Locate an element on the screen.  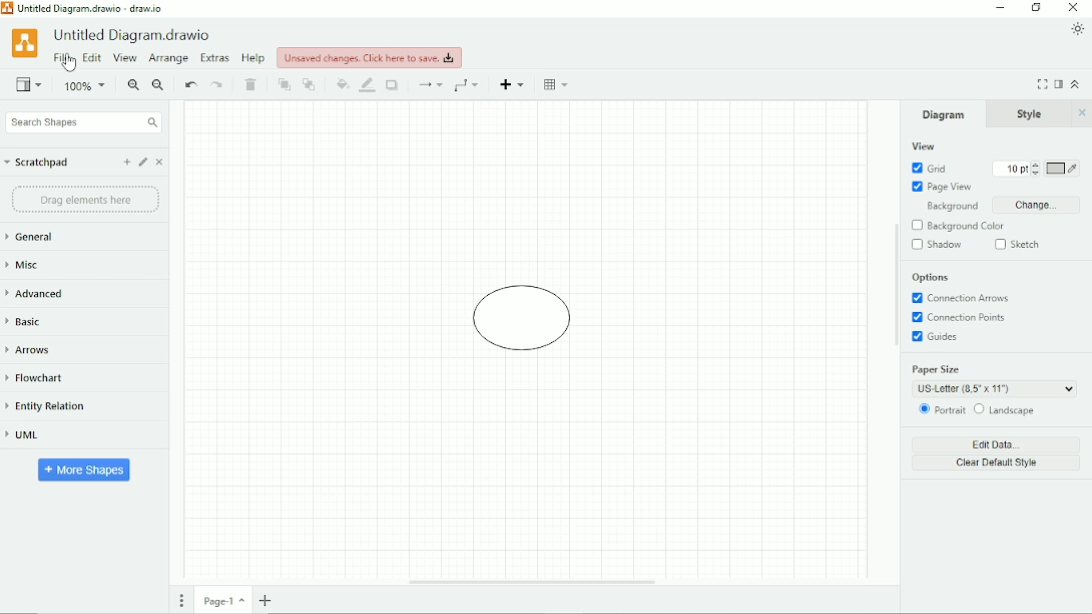
Format is located at coordinates (1058, 85).